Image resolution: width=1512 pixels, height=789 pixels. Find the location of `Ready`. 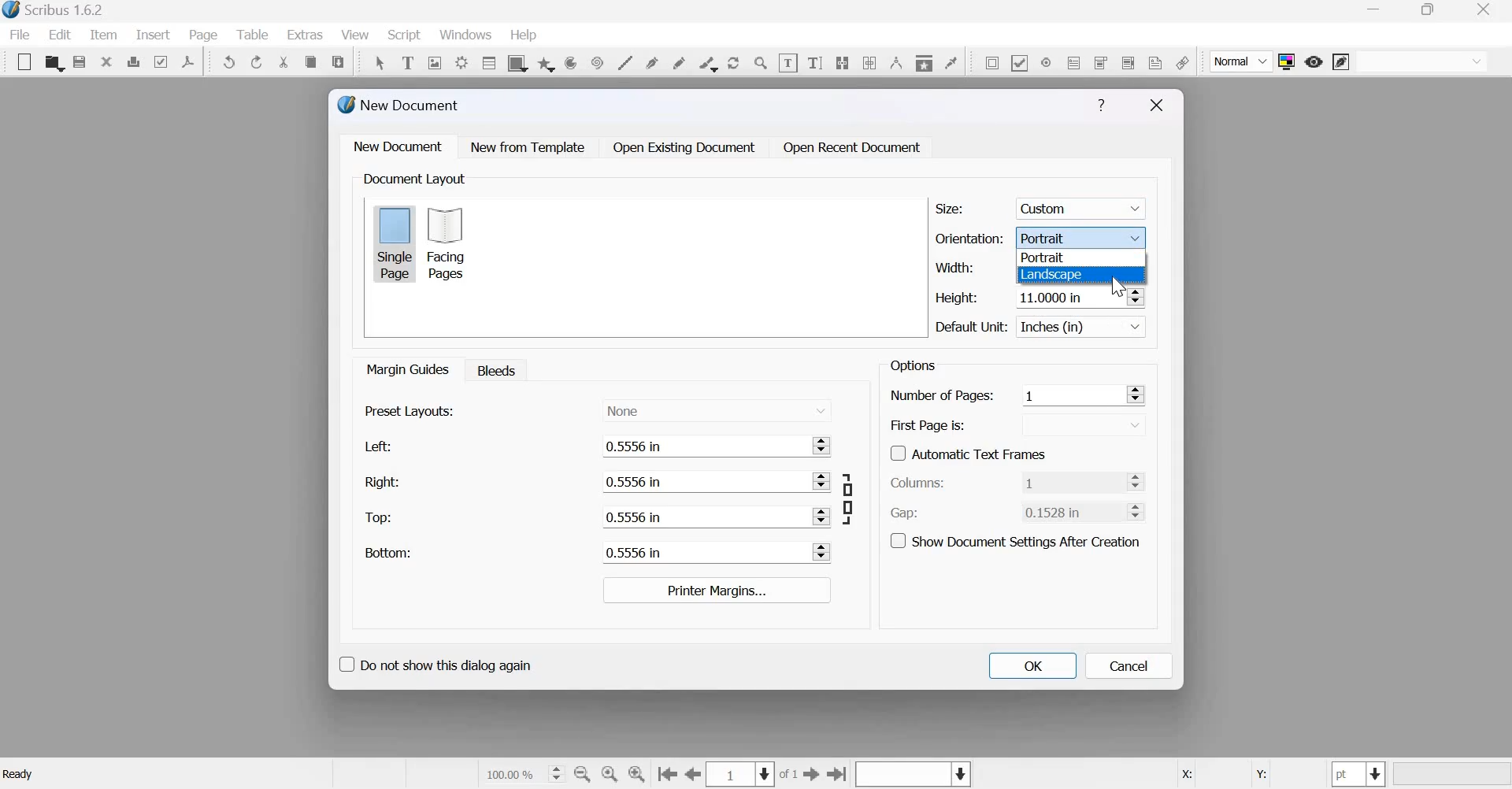

Ready is located at coordinates (20, 774).